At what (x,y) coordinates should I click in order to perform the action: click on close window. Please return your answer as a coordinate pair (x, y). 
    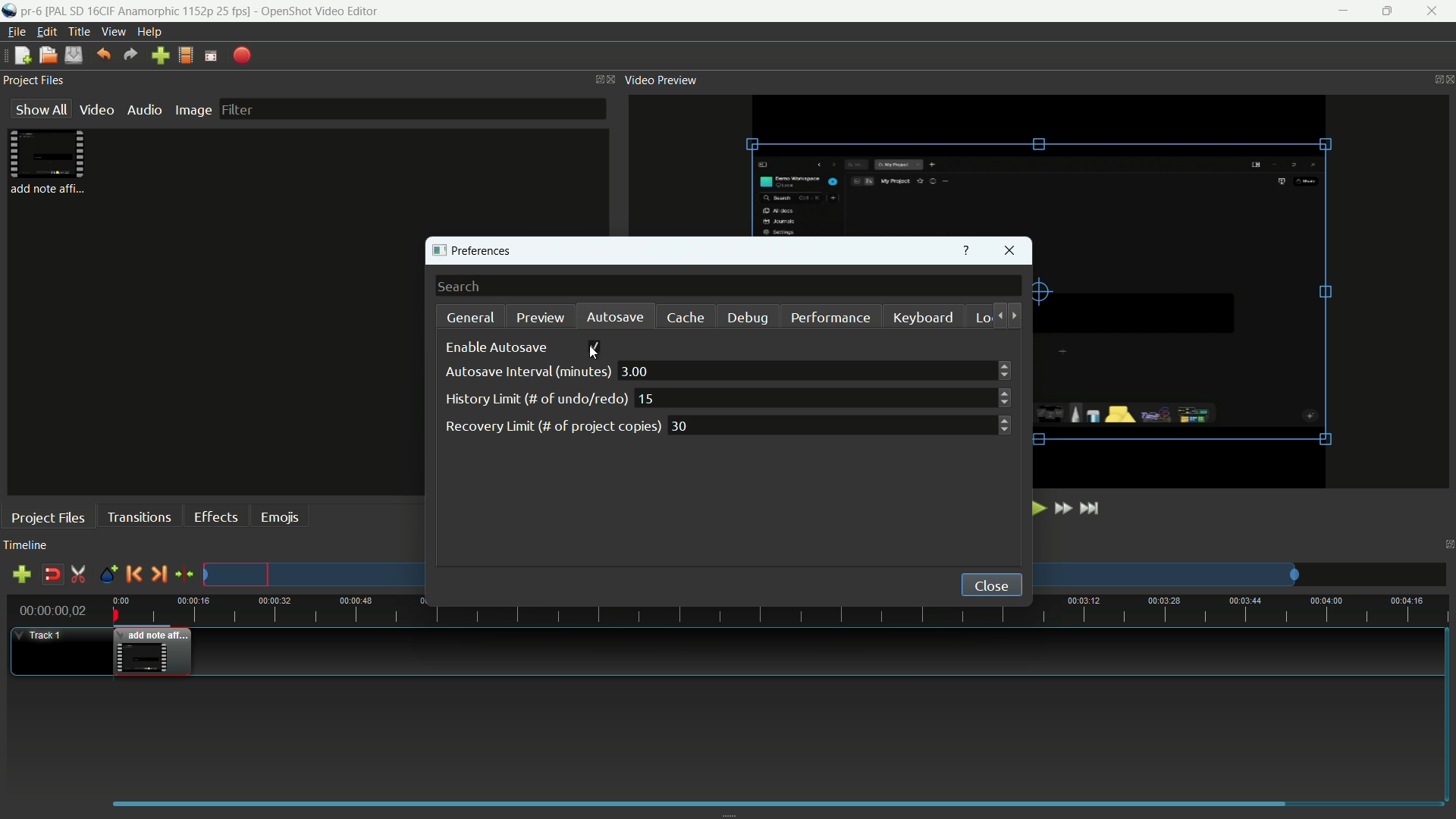
    Looking at the image, I should click on (1009, 250).